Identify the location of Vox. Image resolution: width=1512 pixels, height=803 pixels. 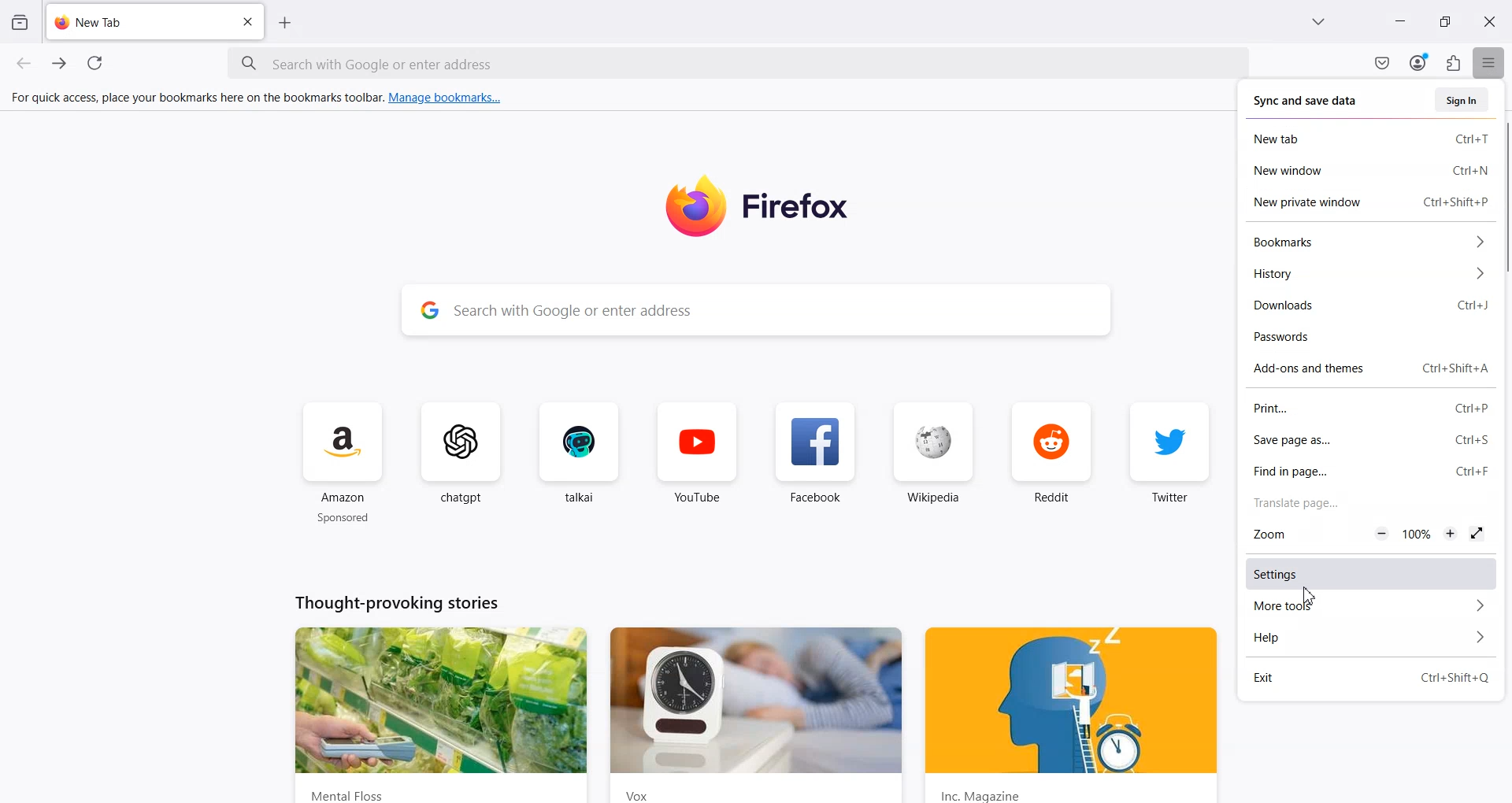
(752, 713).